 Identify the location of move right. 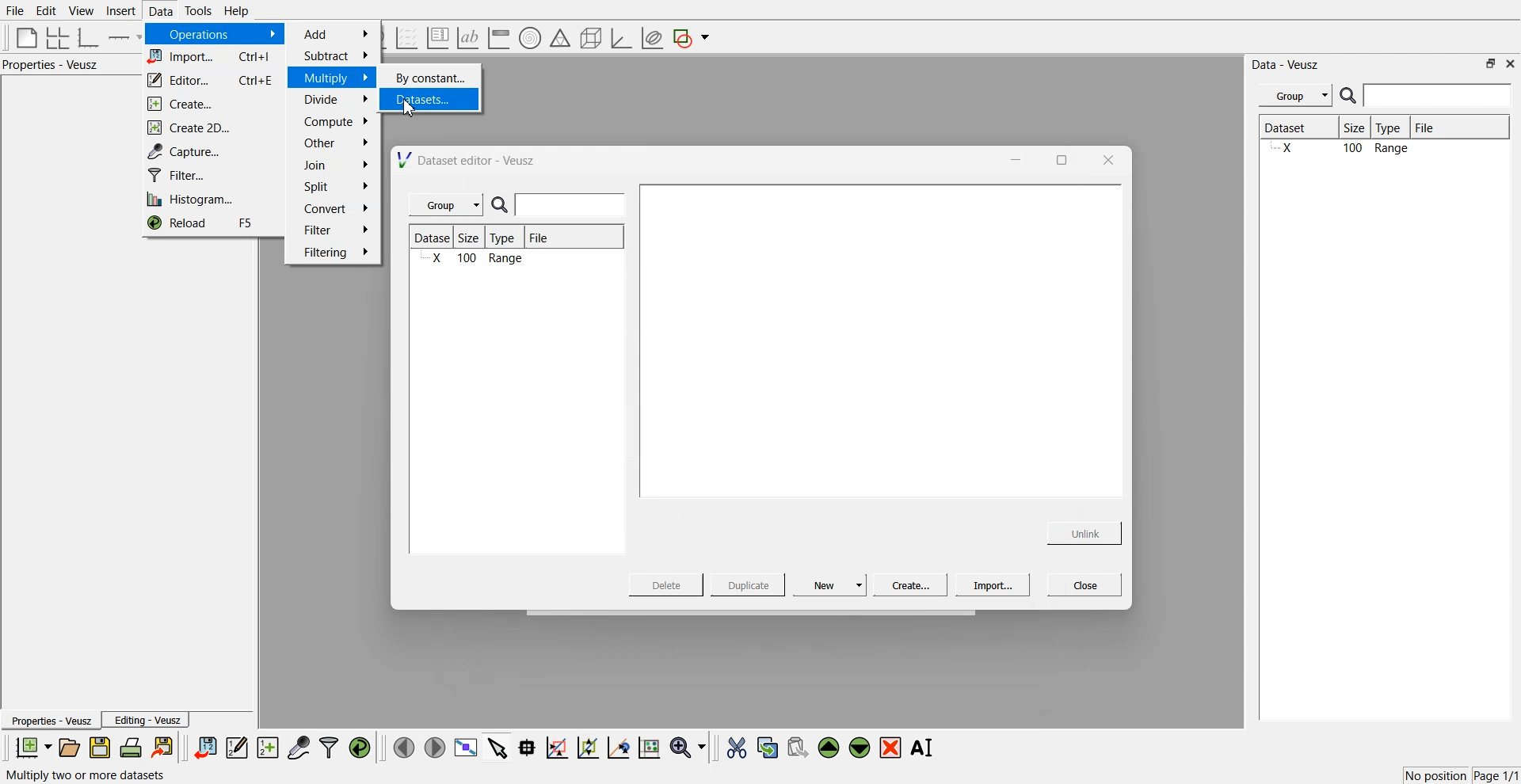
(434, 746).